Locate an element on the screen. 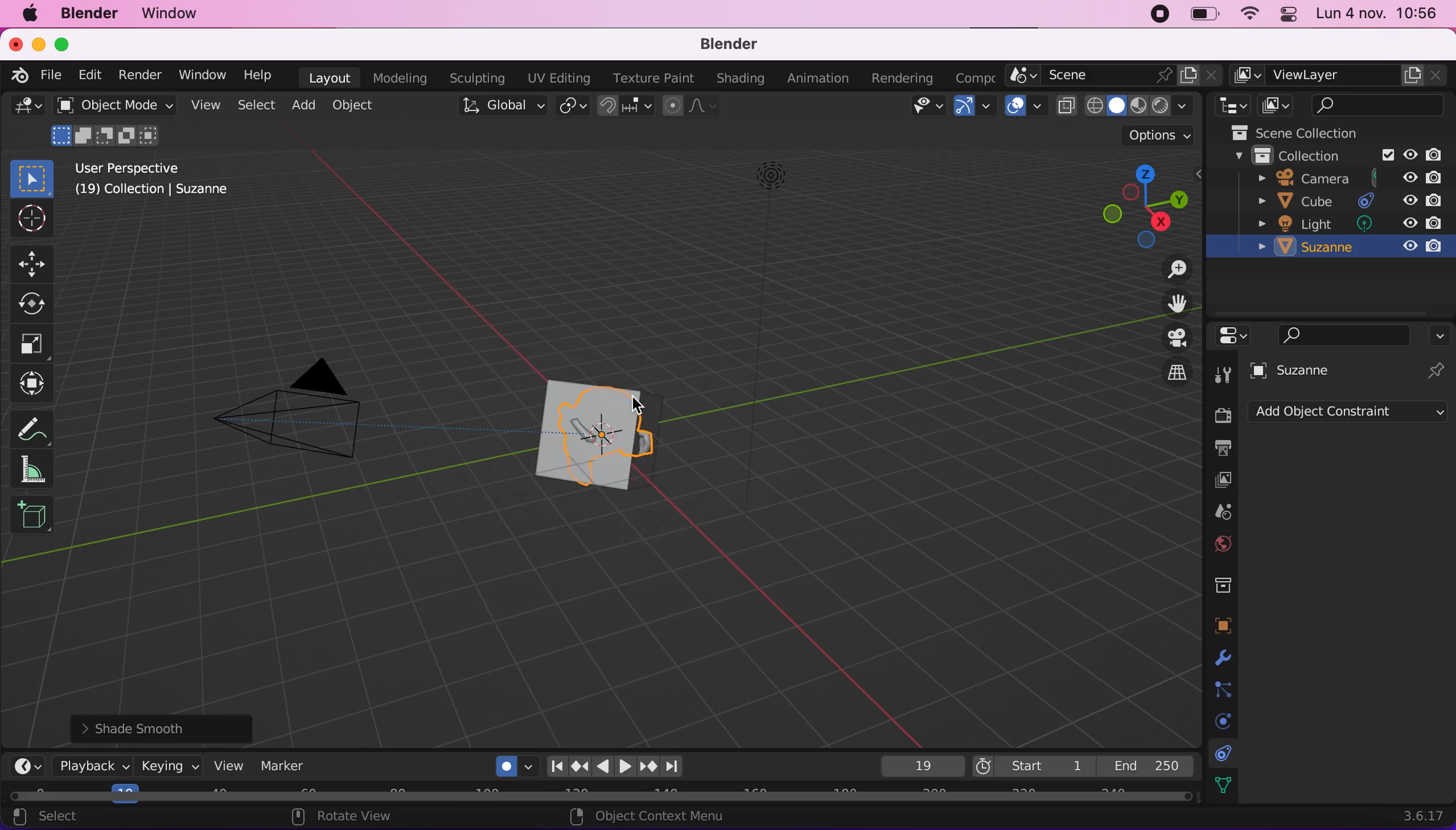 The height and width of the screenshot is (830, 1456). layout is located at coordinates (328, 77).